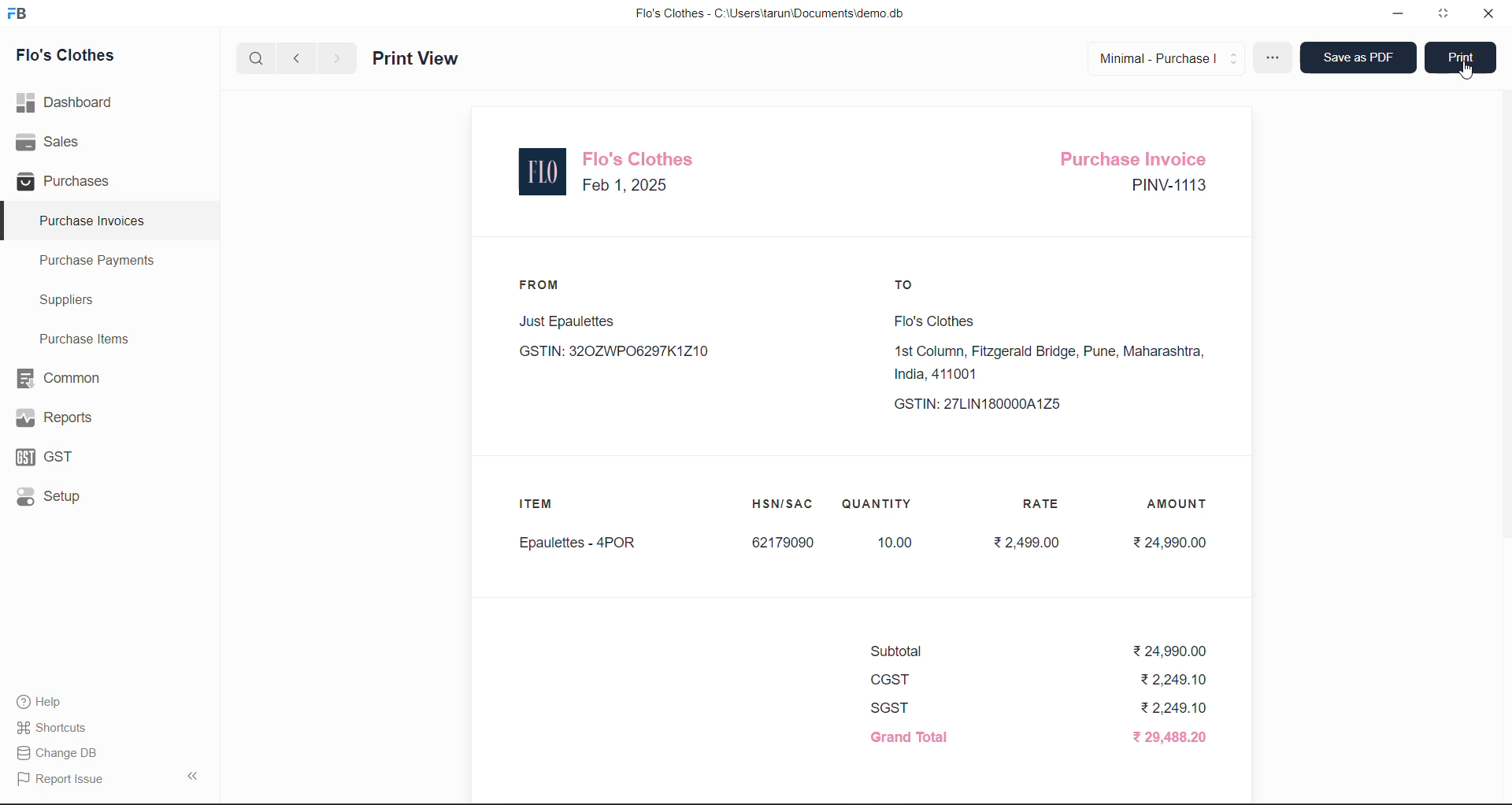 This screenshot has height=805, width=1512. I want to click on Minimal - Purchase |, so click(1166, 57).